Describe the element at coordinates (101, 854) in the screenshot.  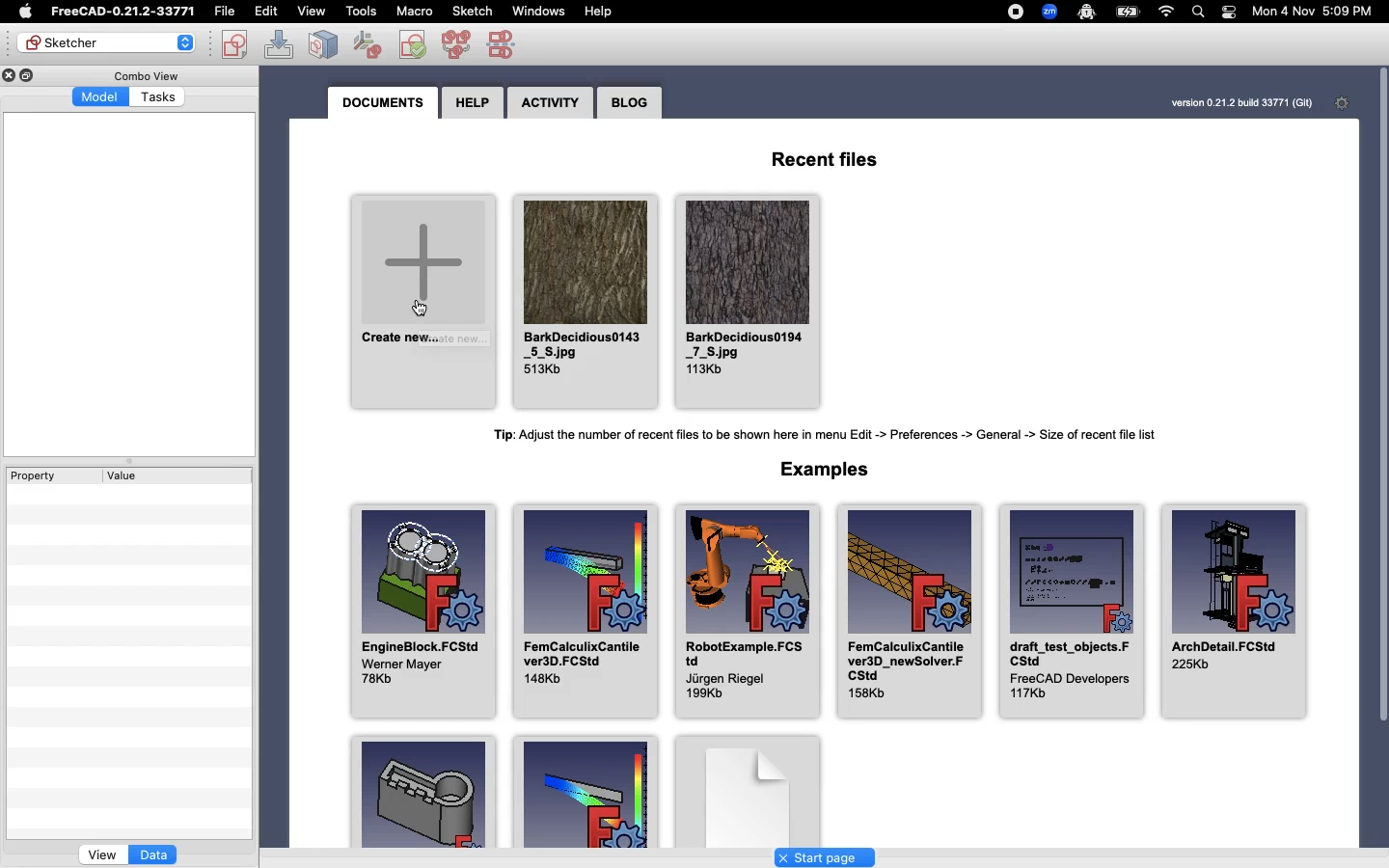
I see `View ` at that location.